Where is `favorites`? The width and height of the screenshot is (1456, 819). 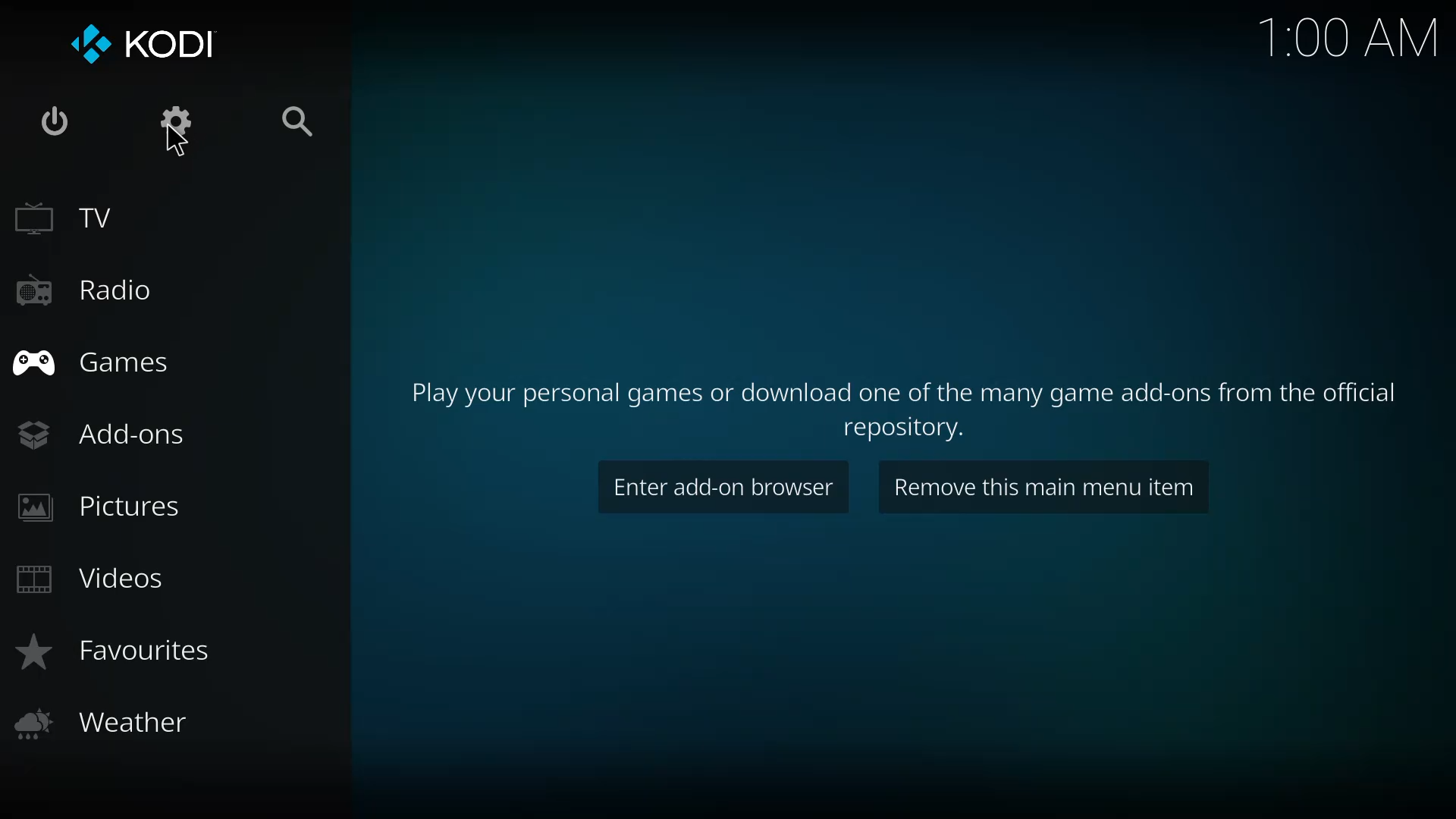
favorites is located at coordinates (125, 652).